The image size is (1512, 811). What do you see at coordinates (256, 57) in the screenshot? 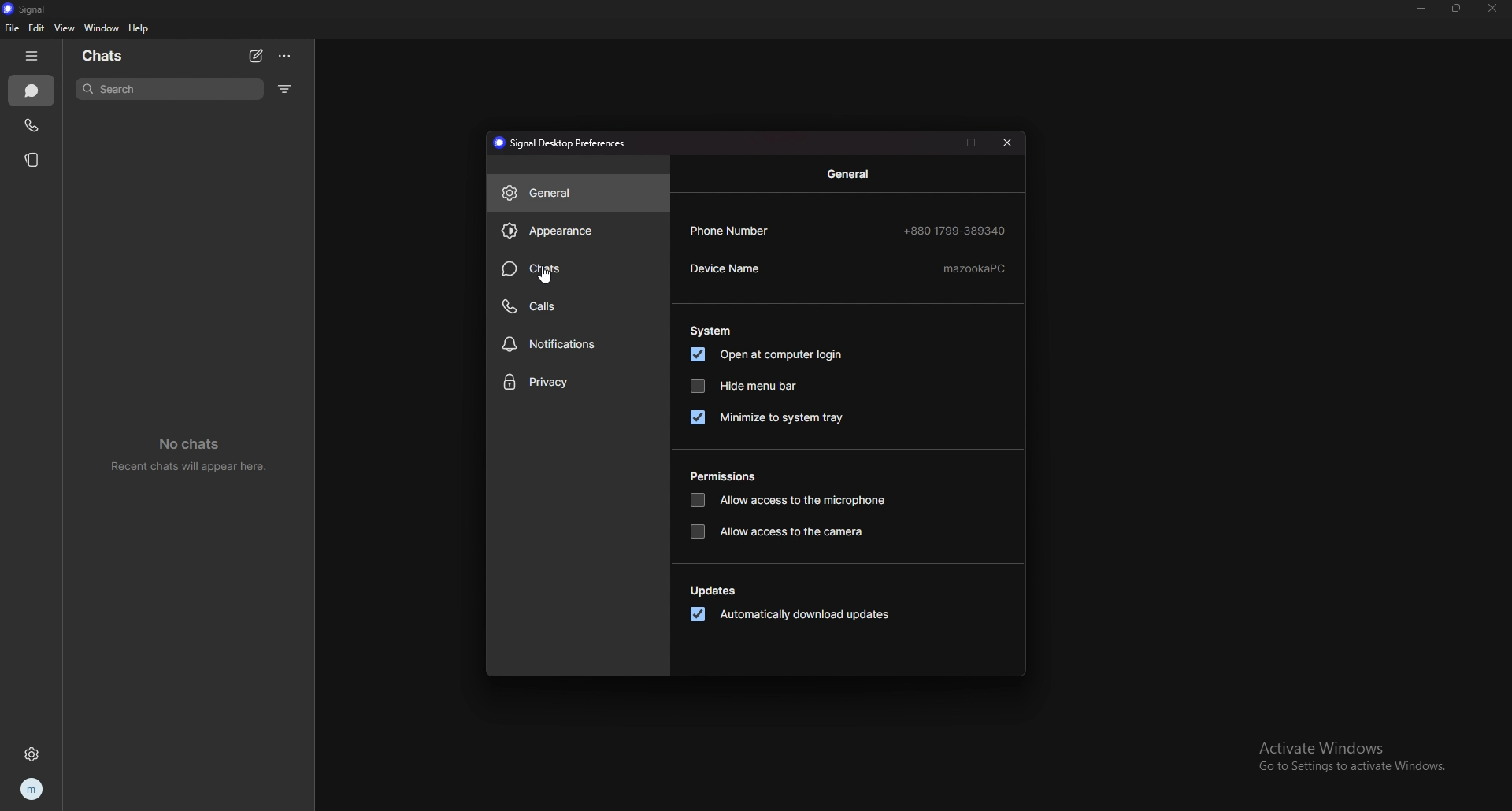
I see `new chat` at bounding box center [256, 57].